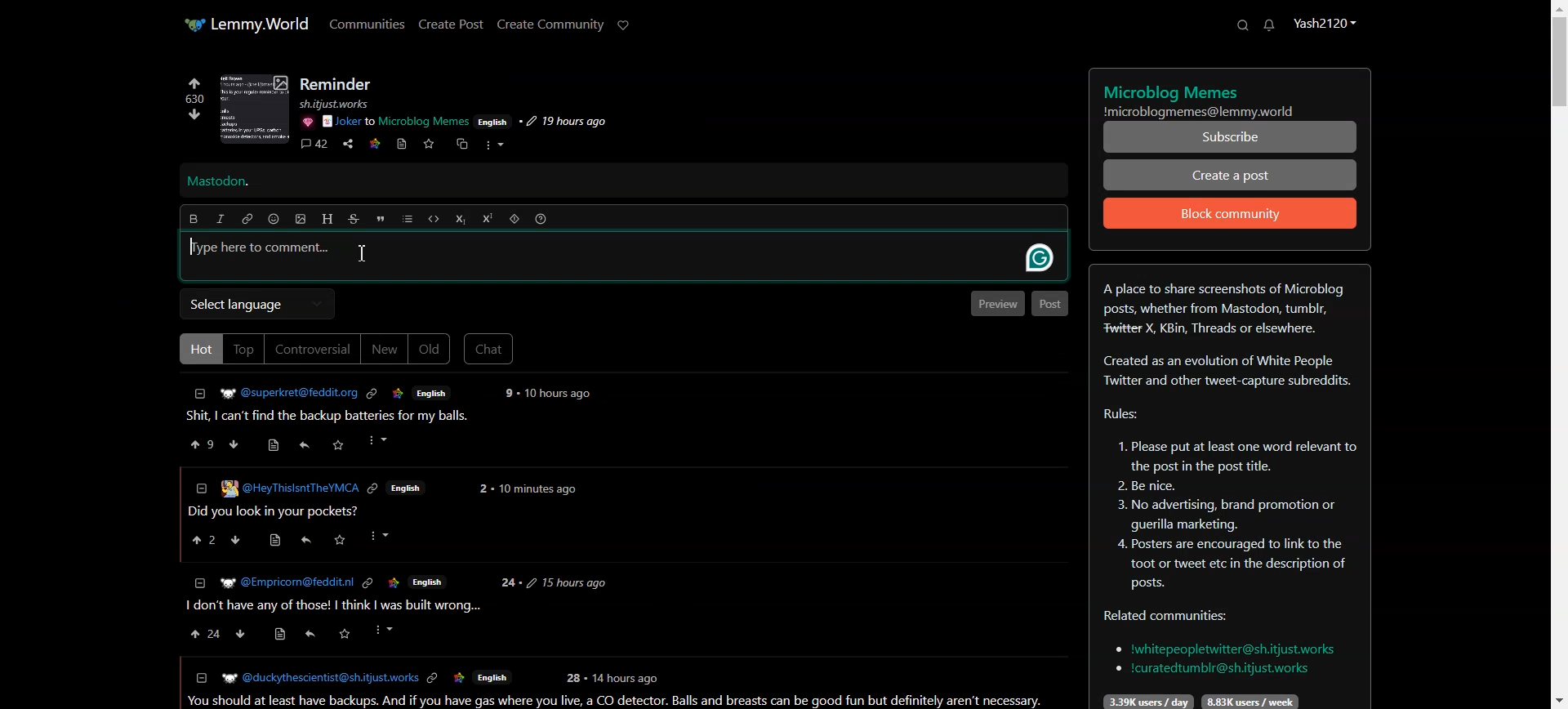 The height and width of the screenshot is (709, 1568). I want to click on List, so click(408, 219).